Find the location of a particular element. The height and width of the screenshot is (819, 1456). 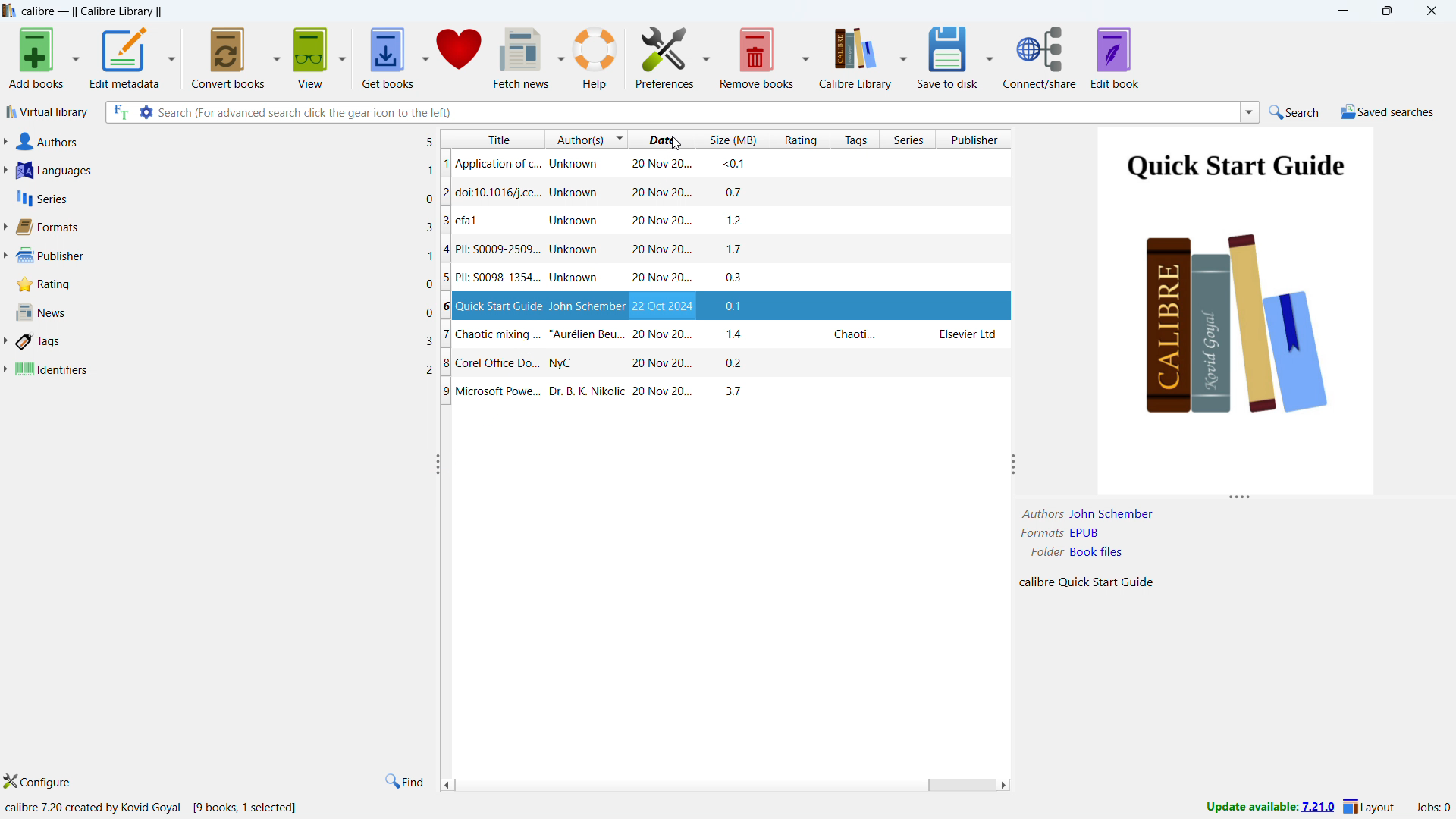

view is located at coordinates (312, 55).